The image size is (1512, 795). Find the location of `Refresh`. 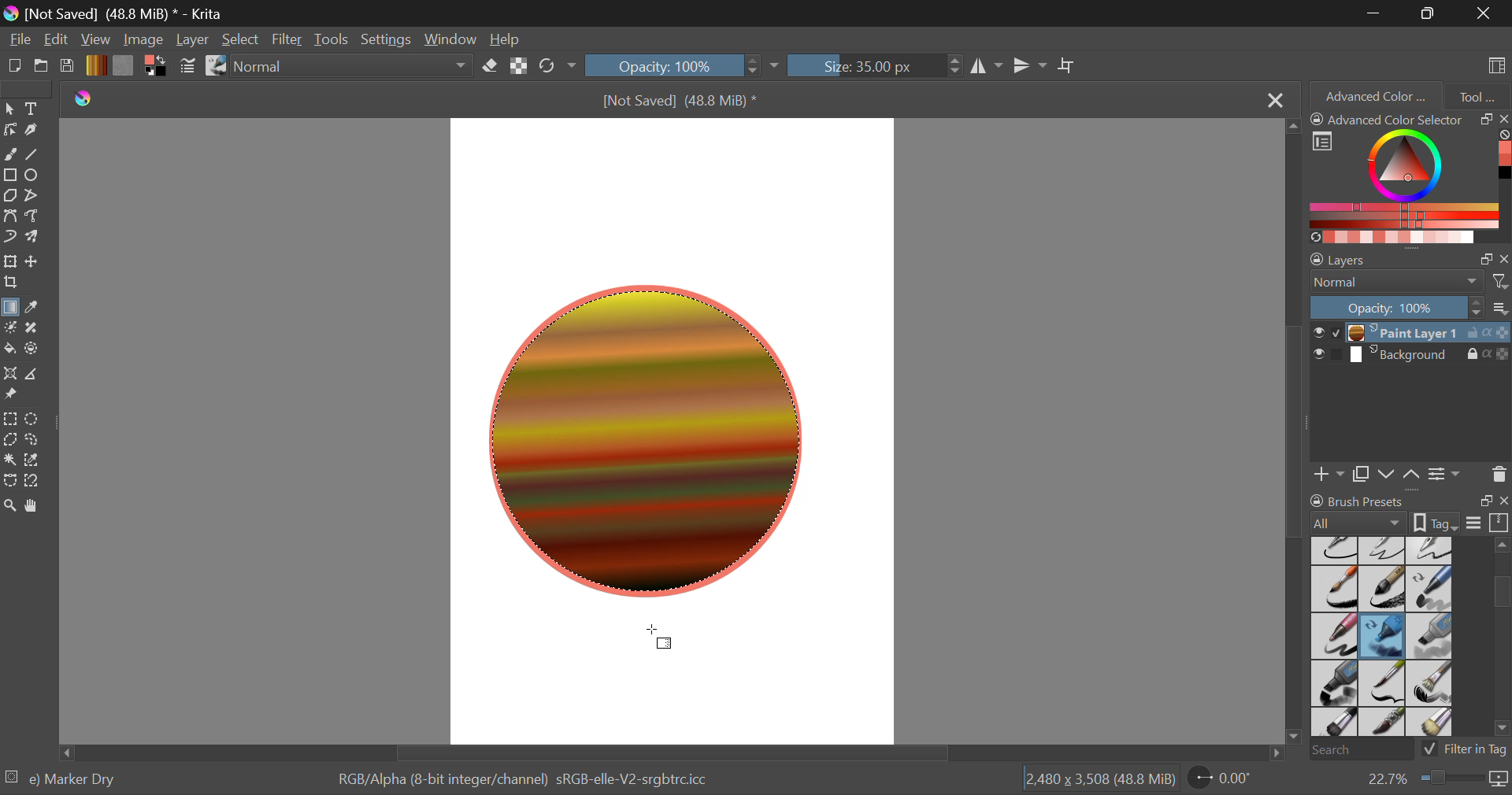

Refresh is located at coordinates (551, 67).